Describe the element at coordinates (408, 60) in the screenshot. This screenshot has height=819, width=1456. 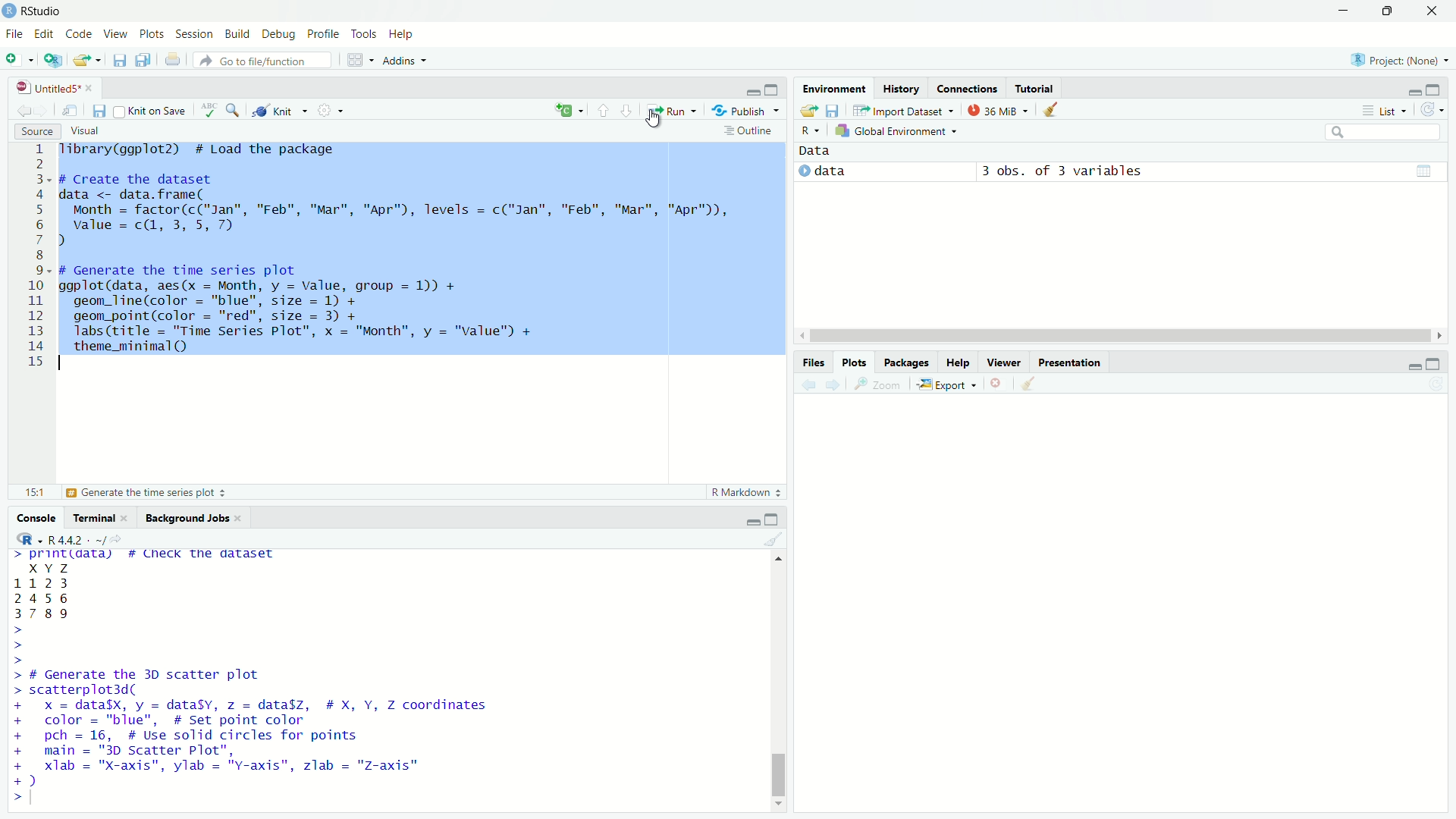
I see `addins` at that location.